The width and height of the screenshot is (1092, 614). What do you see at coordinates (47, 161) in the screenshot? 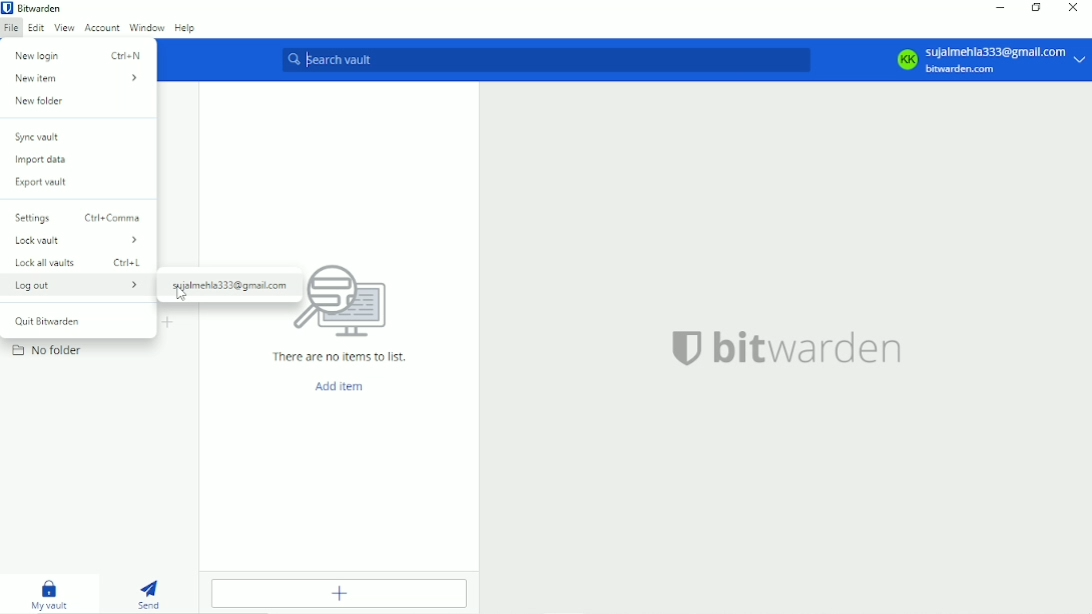
I see `Import data.` at bounding box center [47, 161].